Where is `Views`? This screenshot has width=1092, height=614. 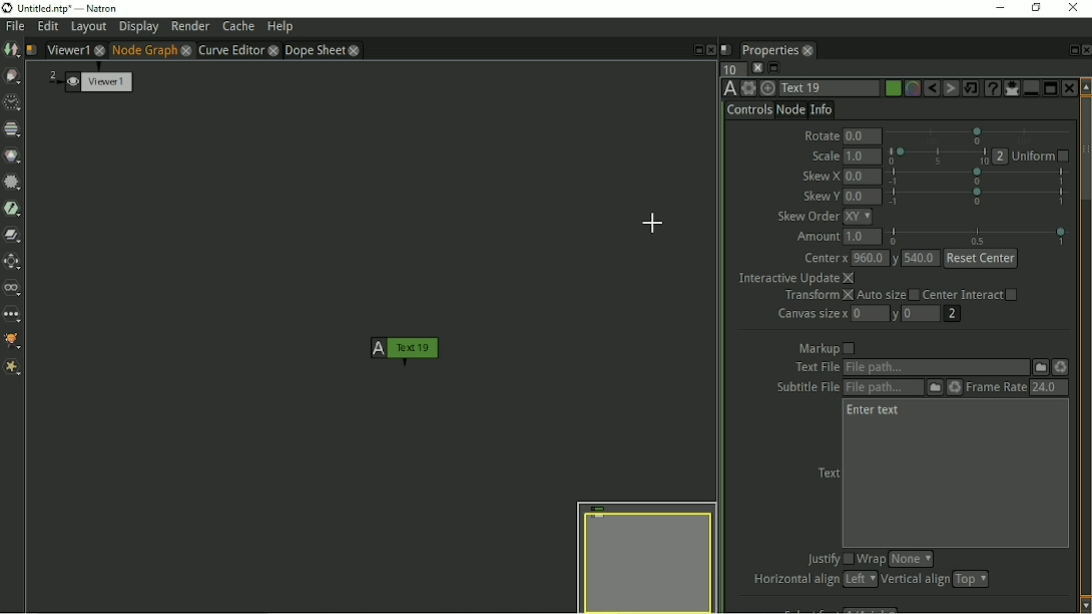 Views is located at coordinates (14, 288).